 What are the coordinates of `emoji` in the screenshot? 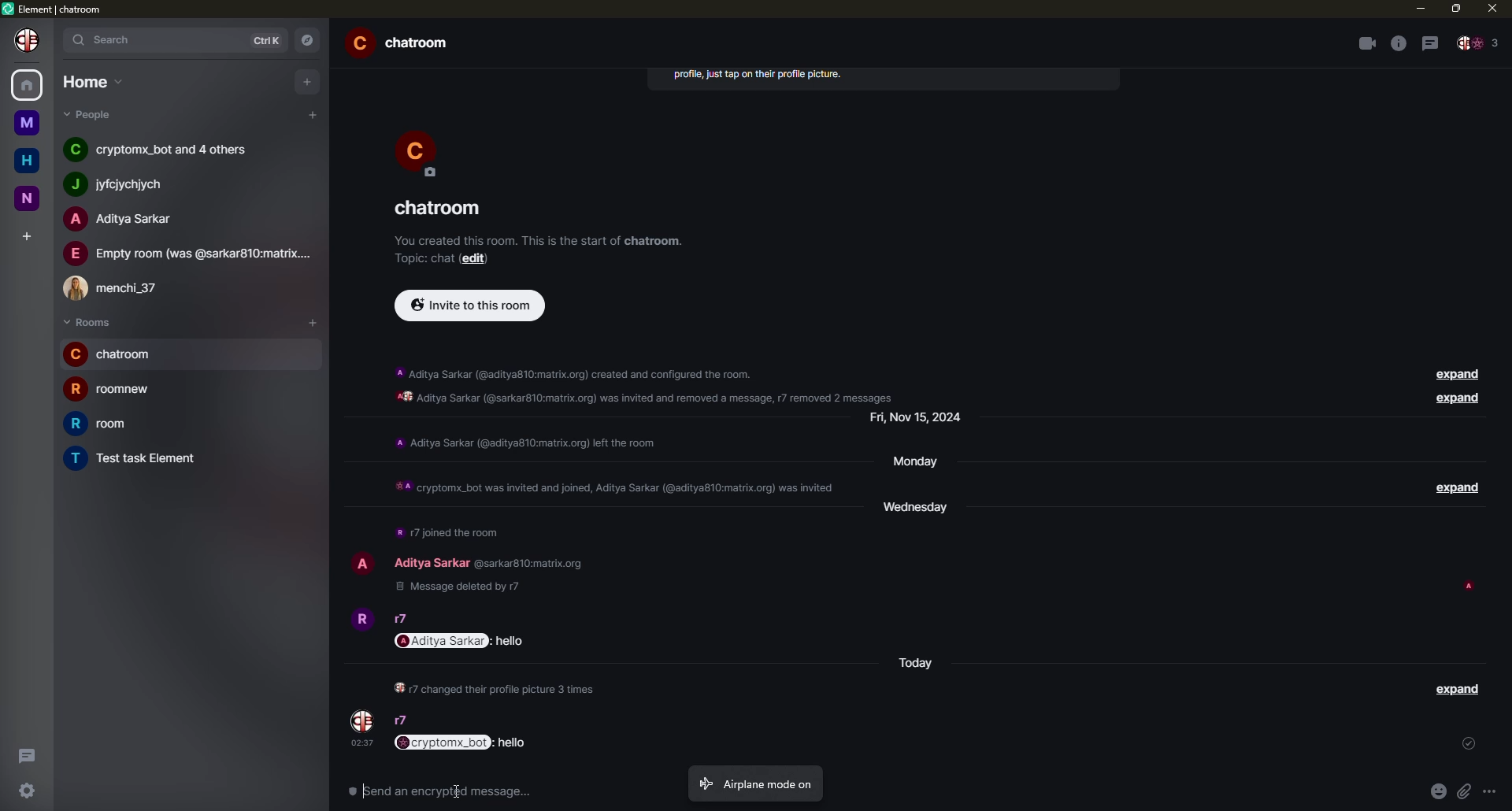 It's located at (1437, 791).